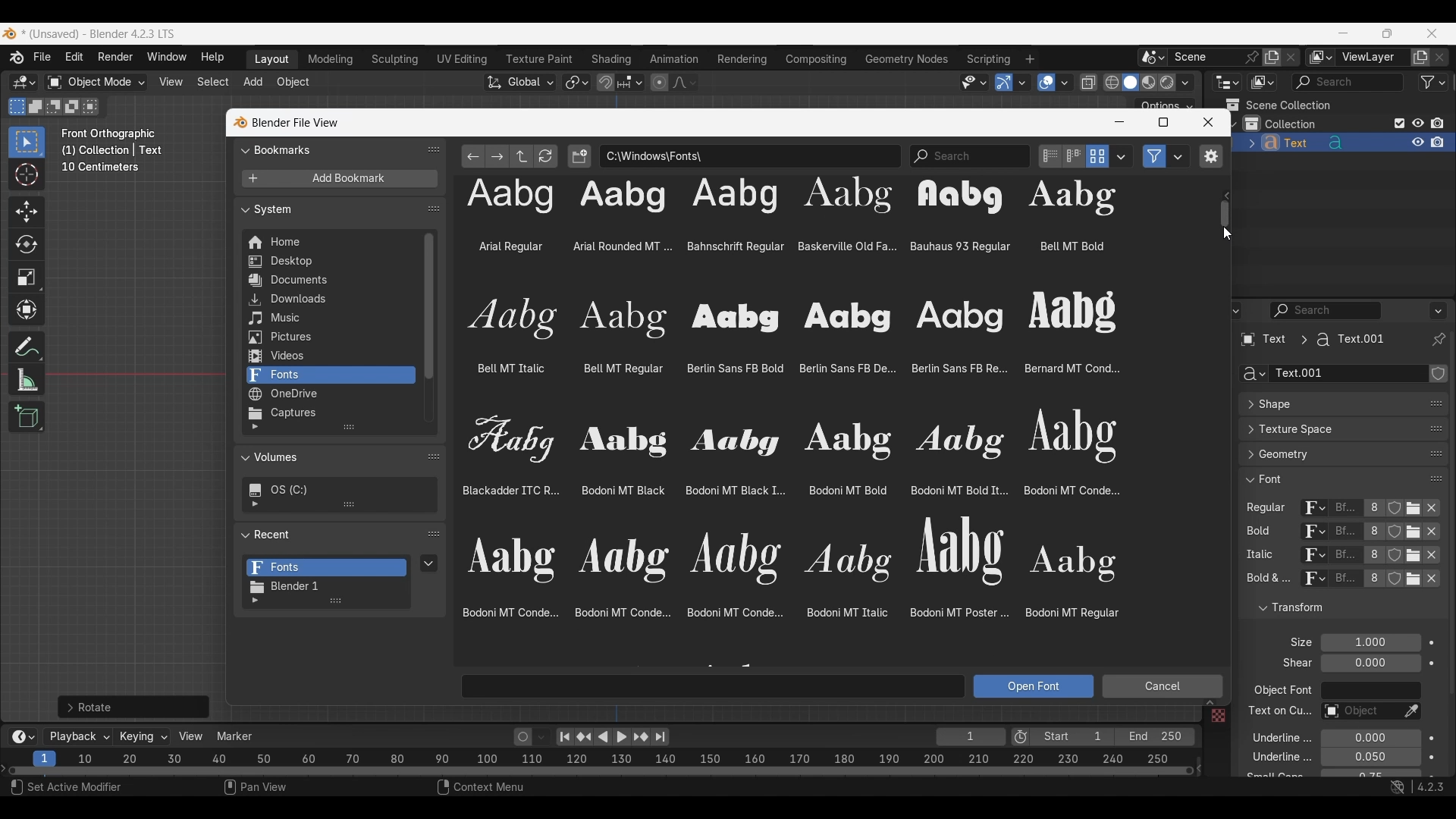 This screenshot has height=819, width=1456. I want to click on Display mode, so click(1262, 83).